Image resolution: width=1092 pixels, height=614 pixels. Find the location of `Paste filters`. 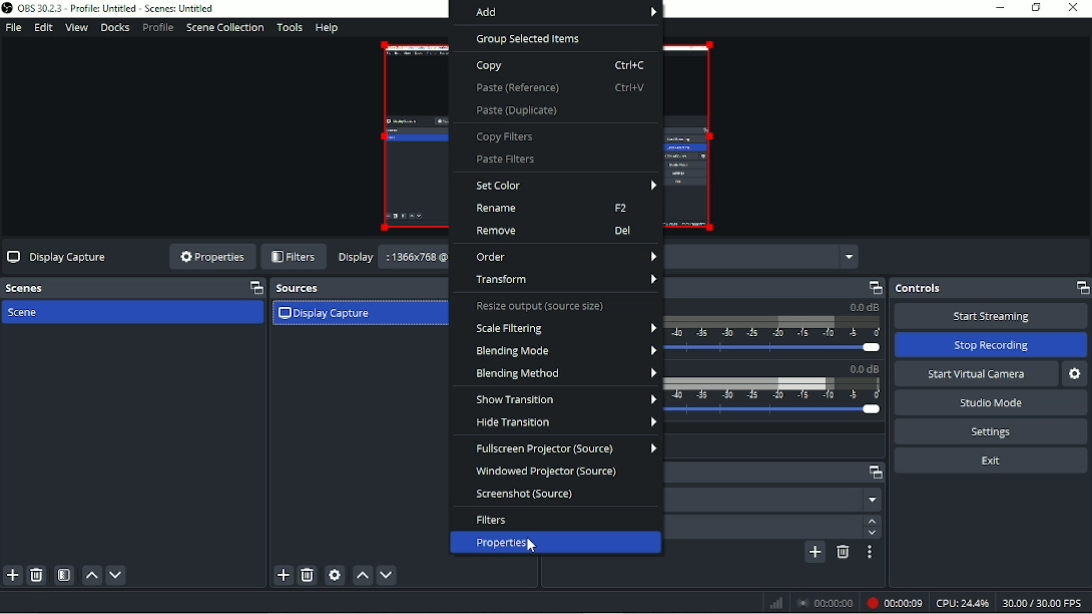

Paste filters is located at coordinates (501, 159).